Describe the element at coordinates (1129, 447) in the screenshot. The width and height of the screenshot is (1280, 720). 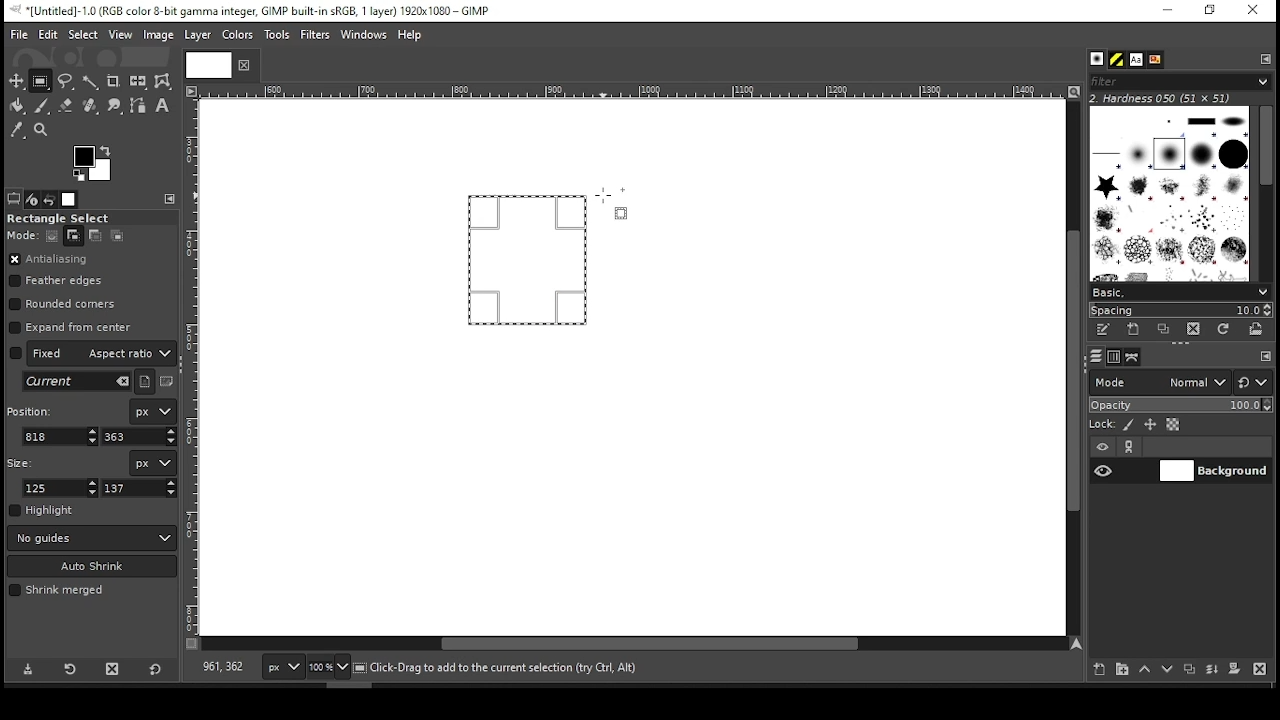
I see `link` at that location.